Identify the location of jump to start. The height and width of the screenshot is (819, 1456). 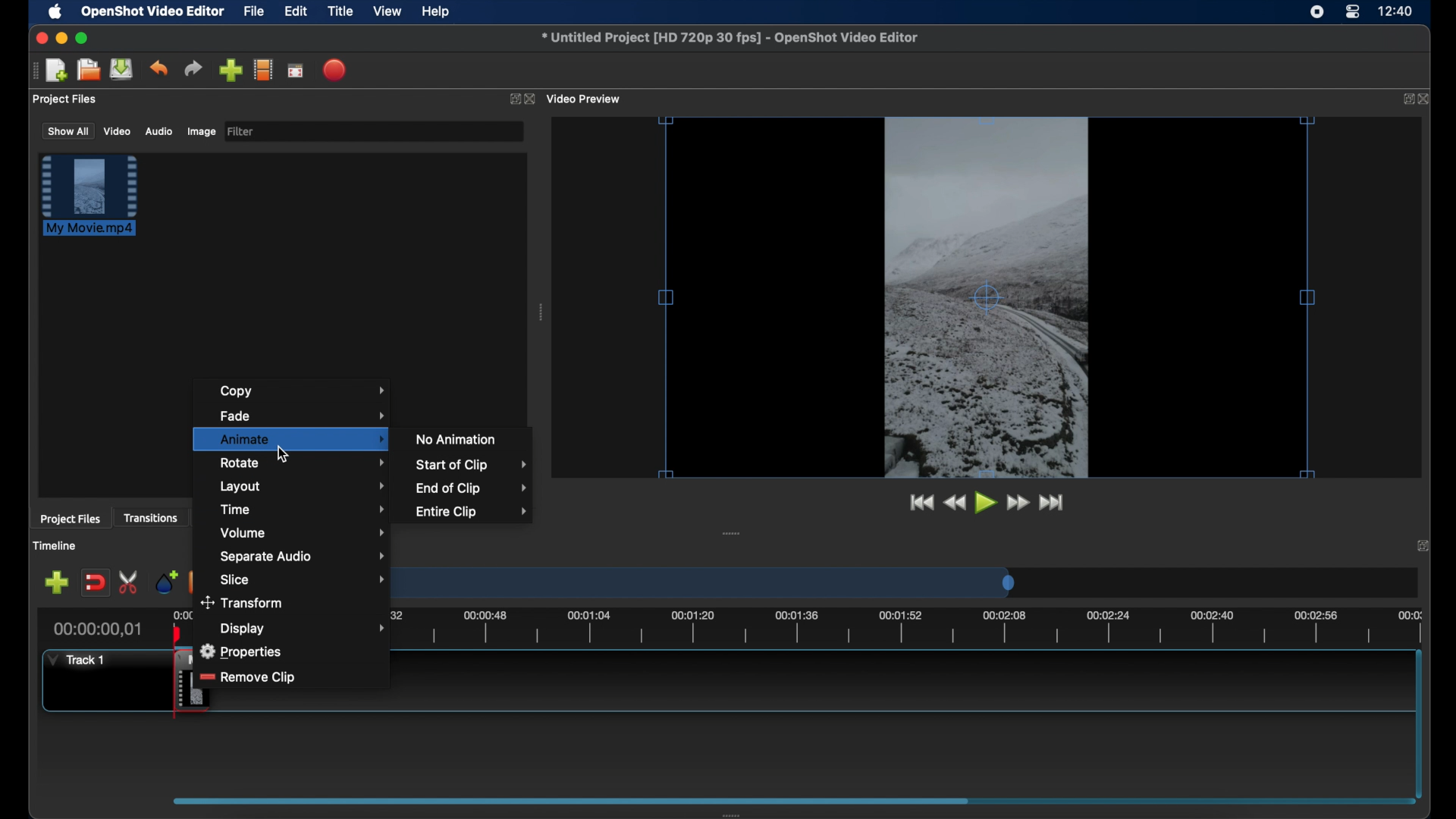
(918, 502).